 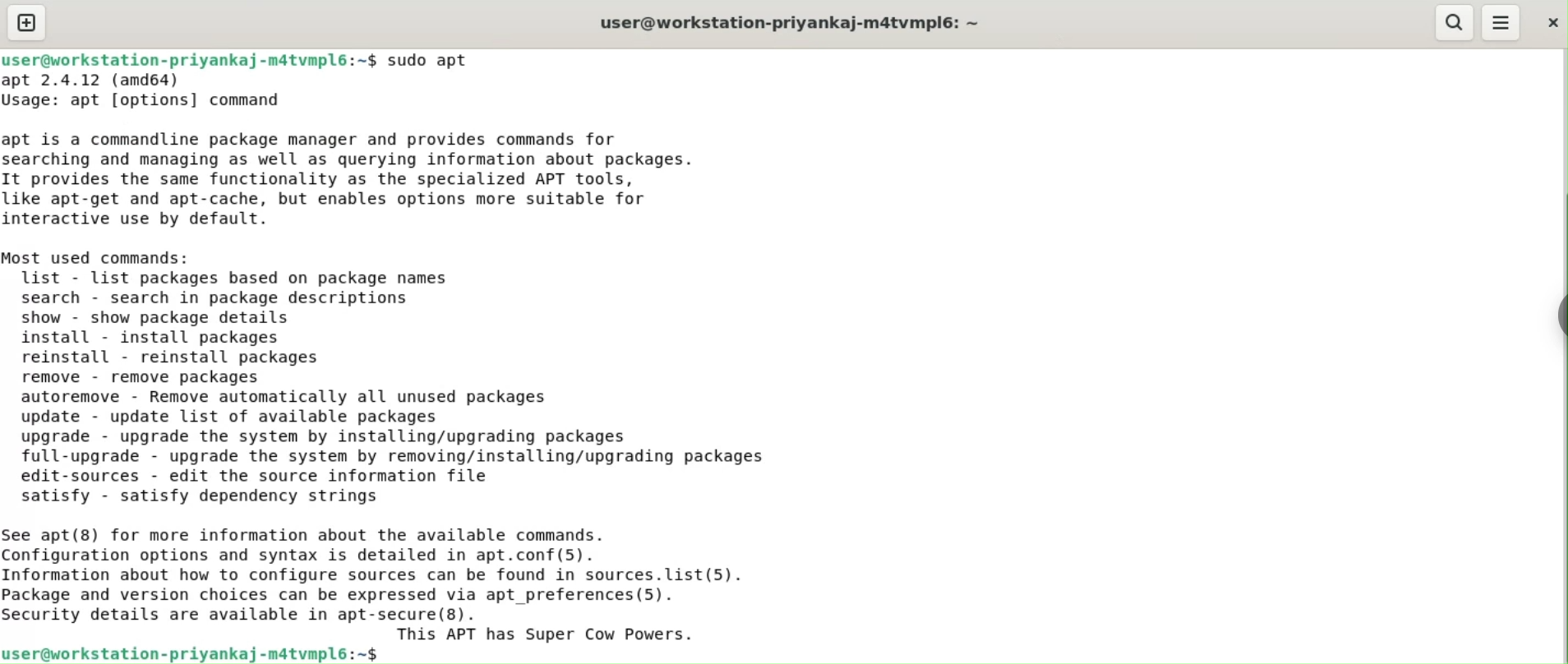 What do you see at coordinates (1558, 318) in the screenshot?
I see `chrome option` at bounding box center [1558, 318].